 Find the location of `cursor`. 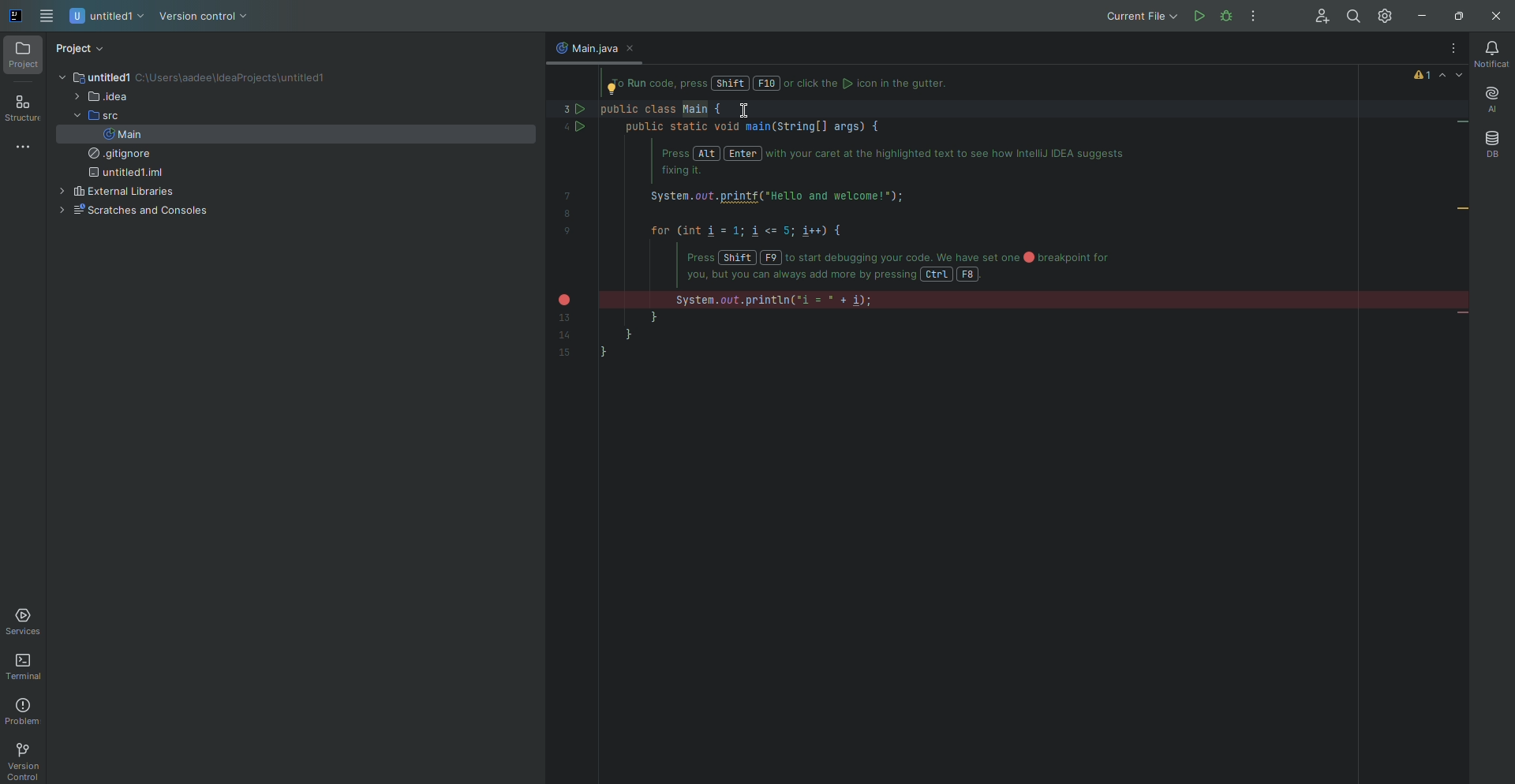

cursor is located at coordinates (743, 113).